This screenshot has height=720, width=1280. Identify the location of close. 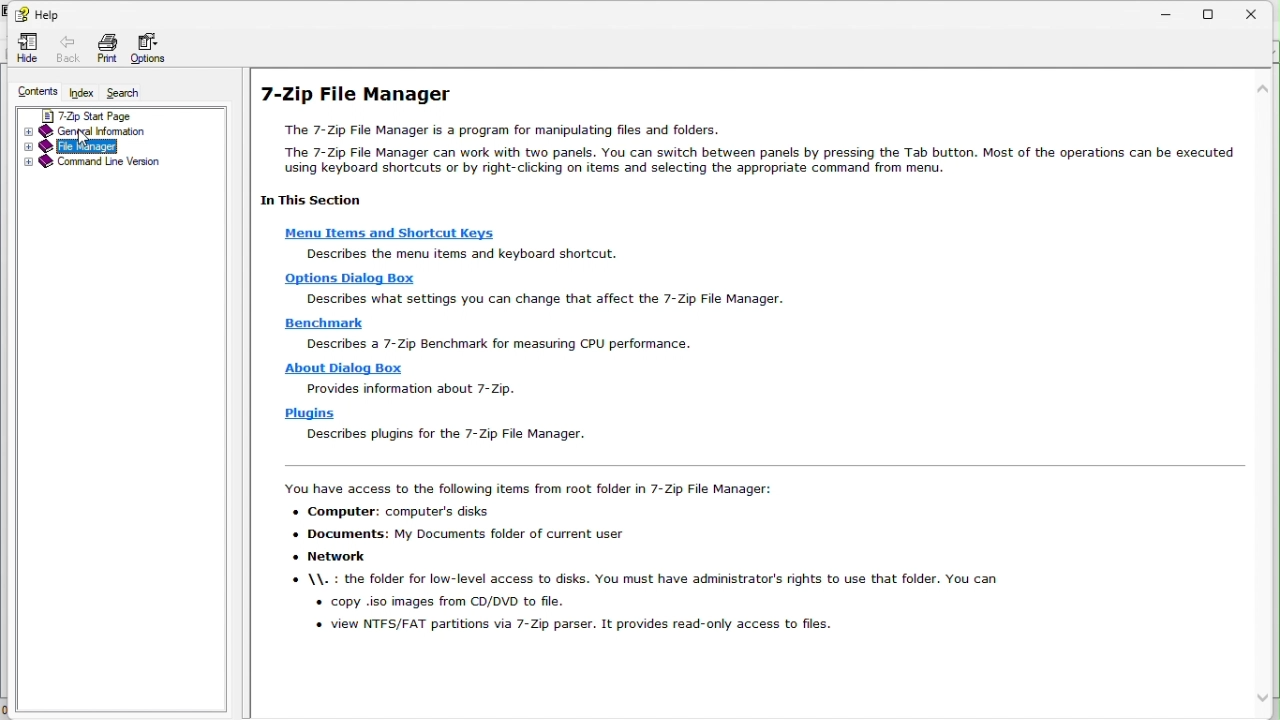
(1262, 11).